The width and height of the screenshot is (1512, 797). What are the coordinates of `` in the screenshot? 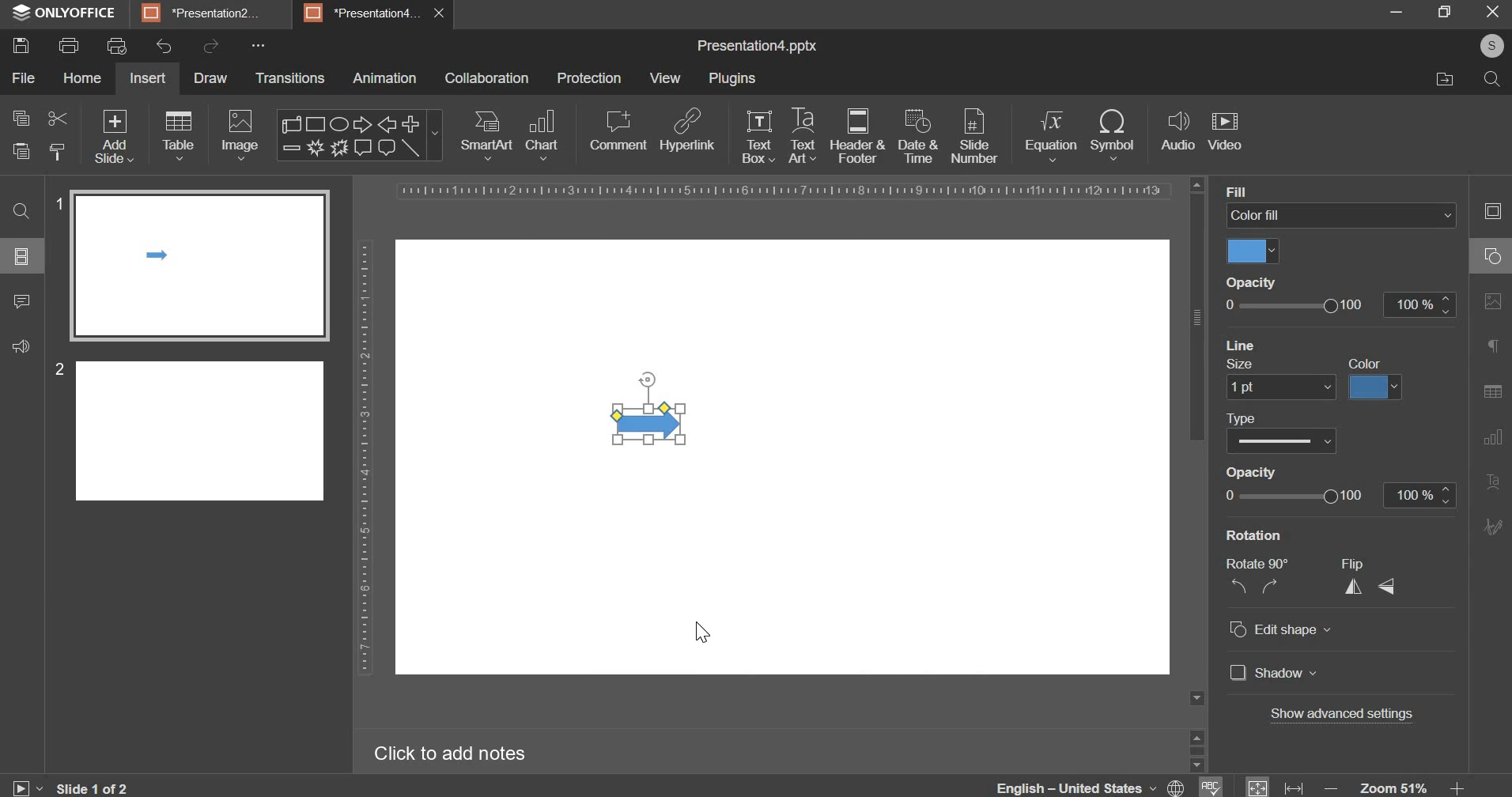 It's located at (1287, 475).